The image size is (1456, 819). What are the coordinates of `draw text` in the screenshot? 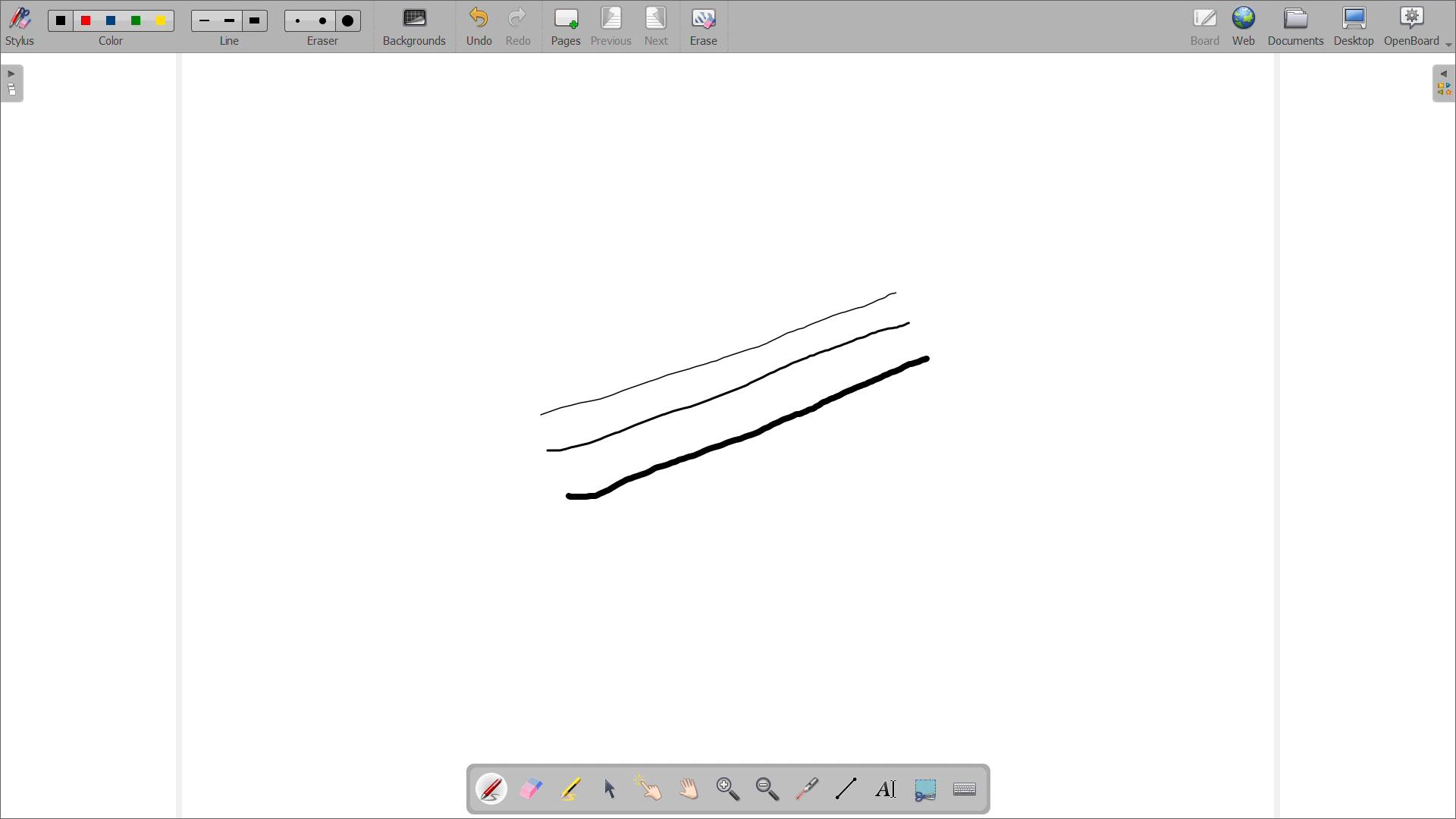 It's located at (887, 789).